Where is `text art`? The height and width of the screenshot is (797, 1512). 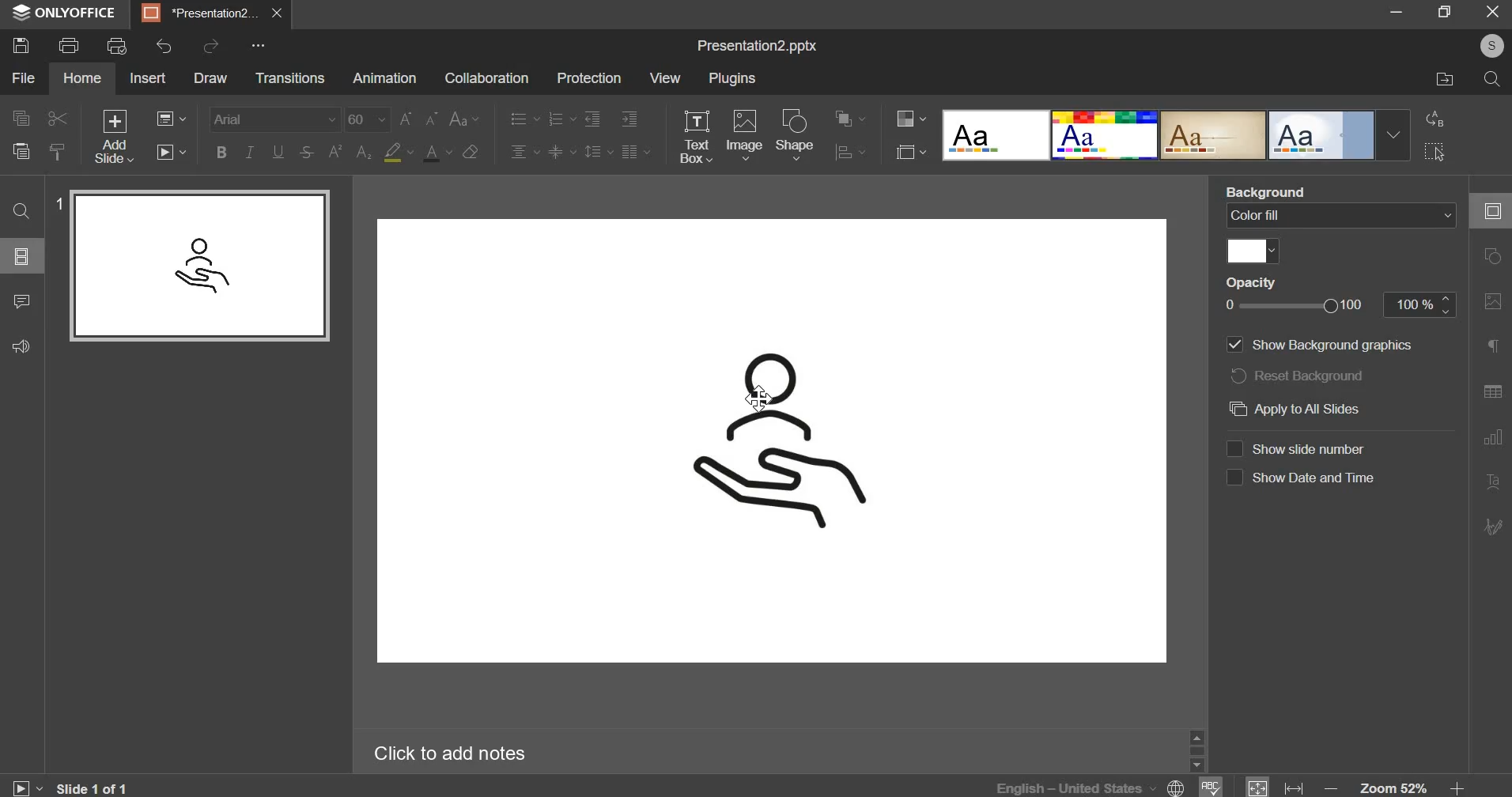 text art is located at coordinates (1492, 482).